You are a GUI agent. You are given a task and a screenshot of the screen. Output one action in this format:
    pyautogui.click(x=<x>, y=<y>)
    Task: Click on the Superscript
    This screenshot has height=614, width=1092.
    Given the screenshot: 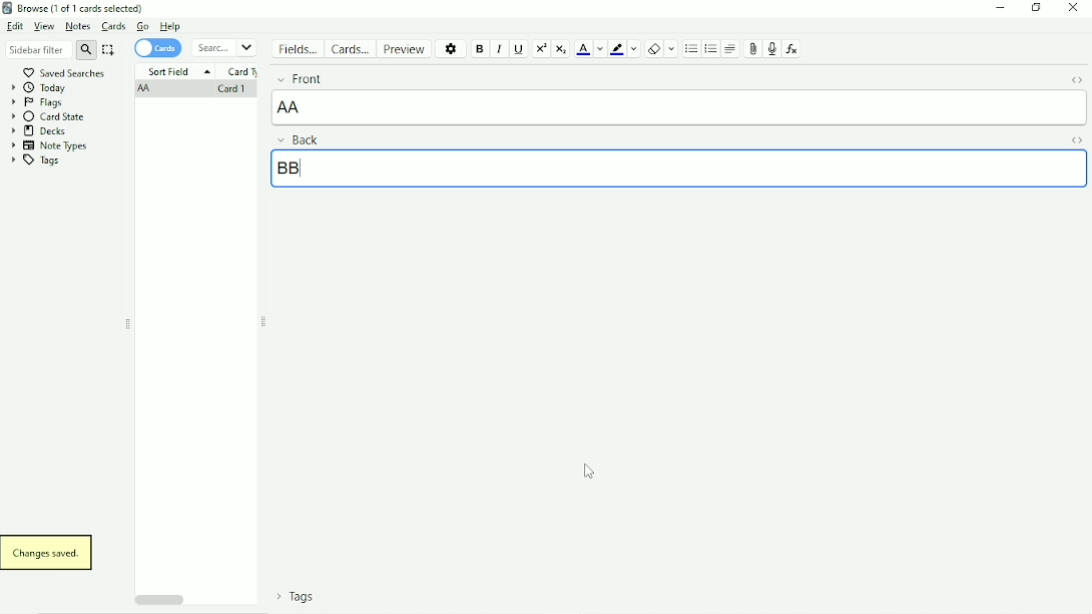 What is the action you would take?
    pyautogui.click(x=541, y=49)
    